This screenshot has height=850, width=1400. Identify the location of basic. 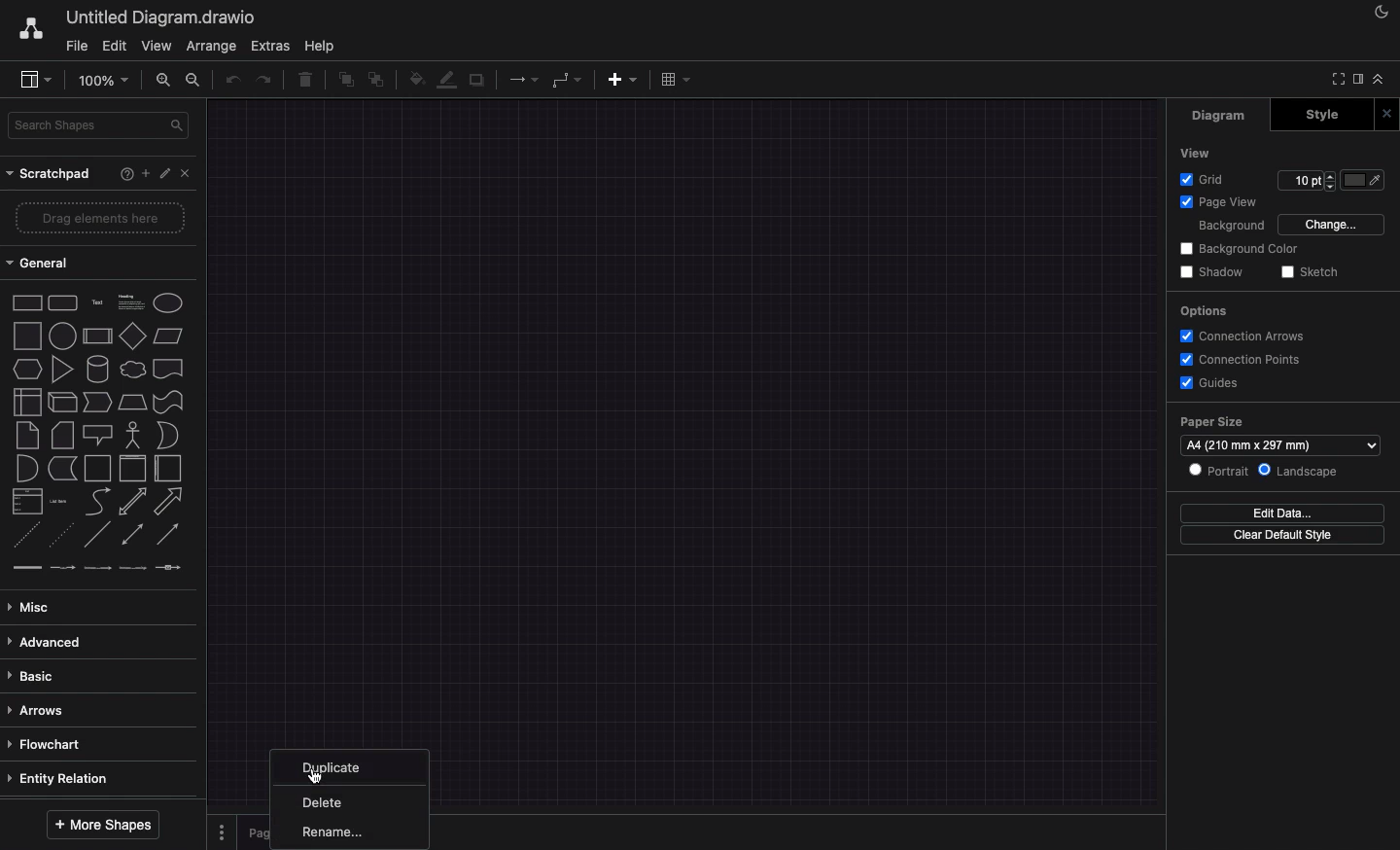
(44, 675).